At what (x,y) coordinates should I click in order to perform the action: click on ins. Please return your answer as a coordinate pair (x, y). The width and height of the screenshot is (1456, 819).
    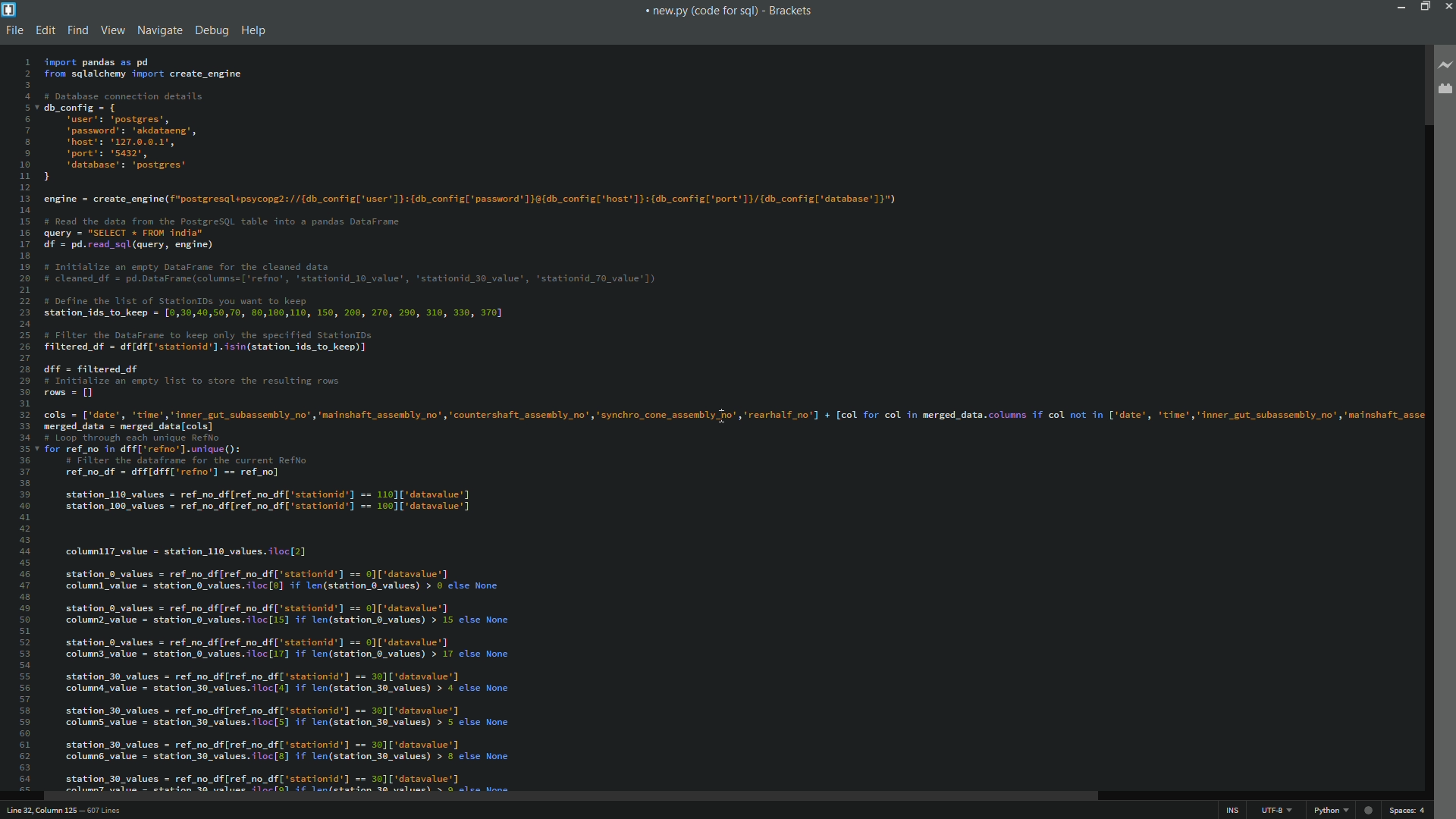
    Looking at the image, I should click on (1232, 811).